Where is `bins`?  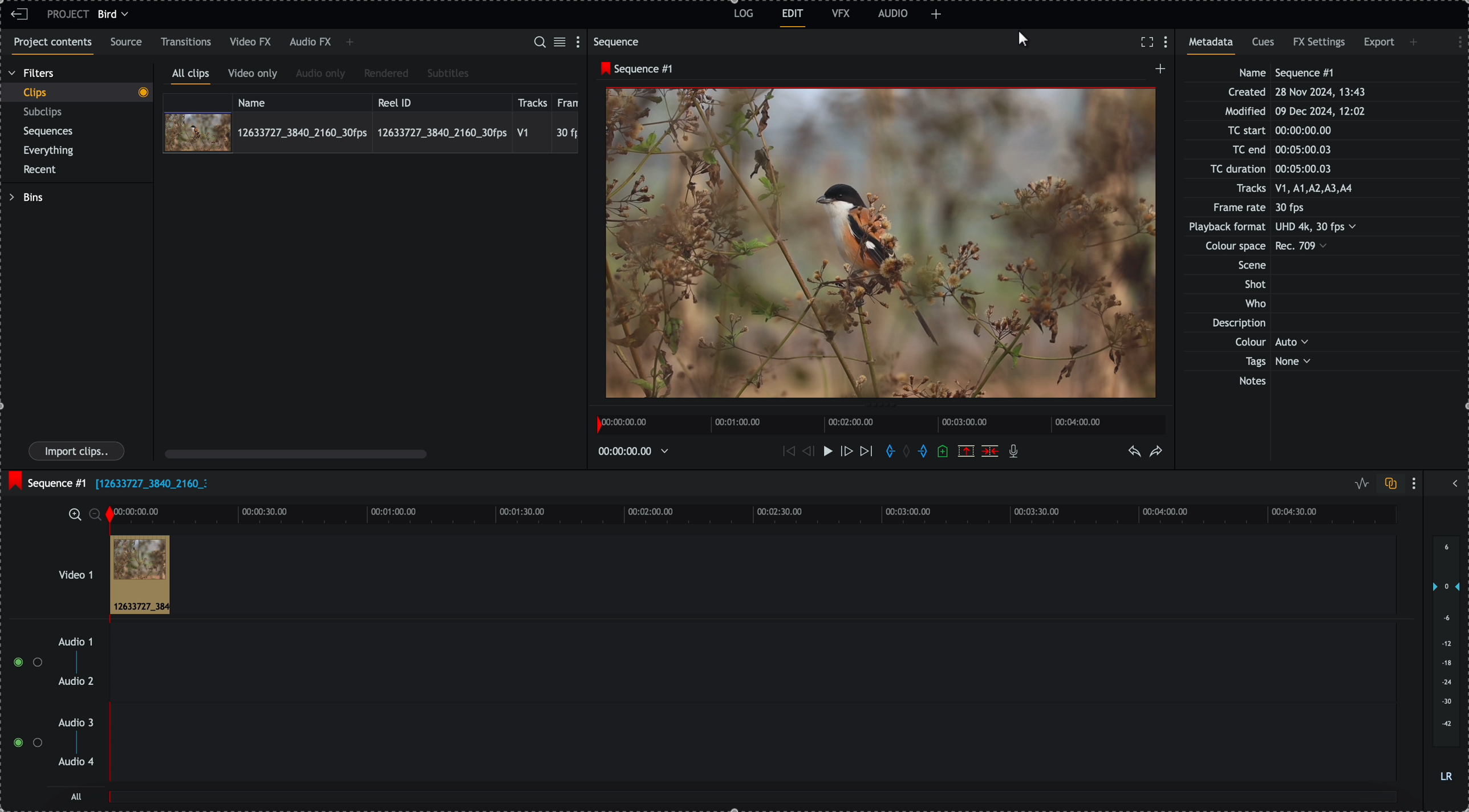 bins is located at coordinates (26, 197).